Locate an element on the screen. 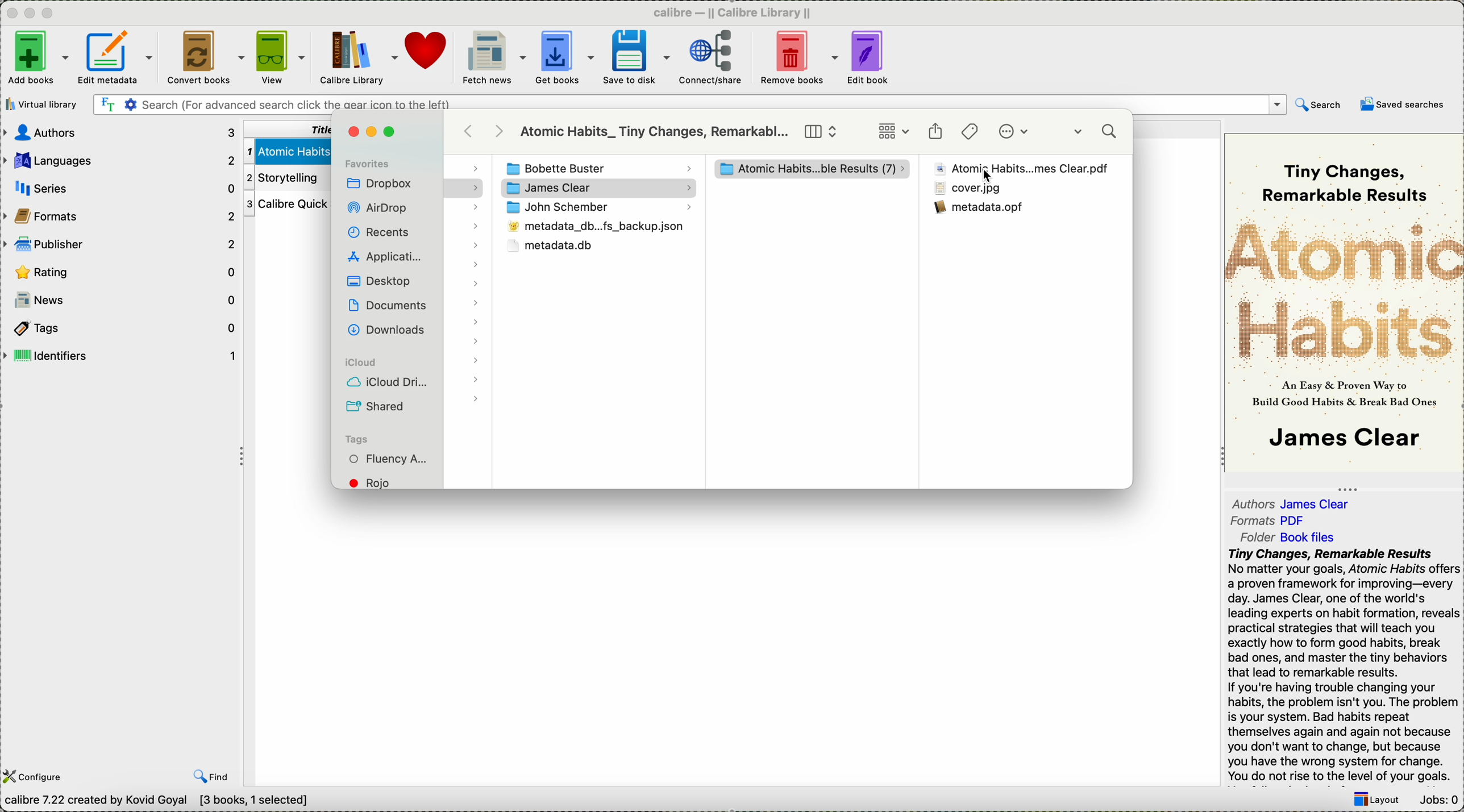 The width and height of the screenshot is (1464, 812). Dropbox is located at coordinates (380, 185).